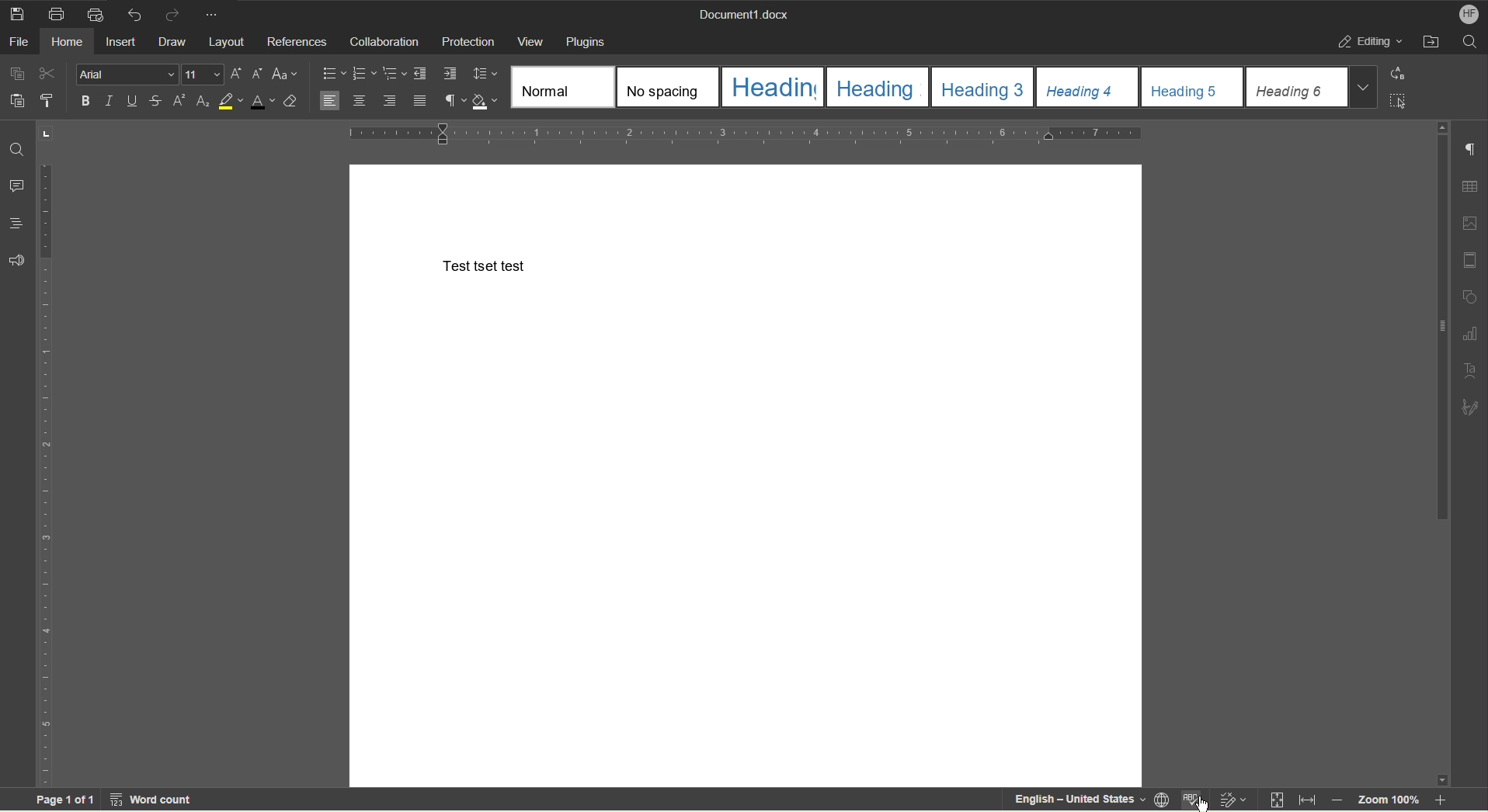  Describe the element at coordinates (1469, 188) in the screenshot. I see `Table` at that location.